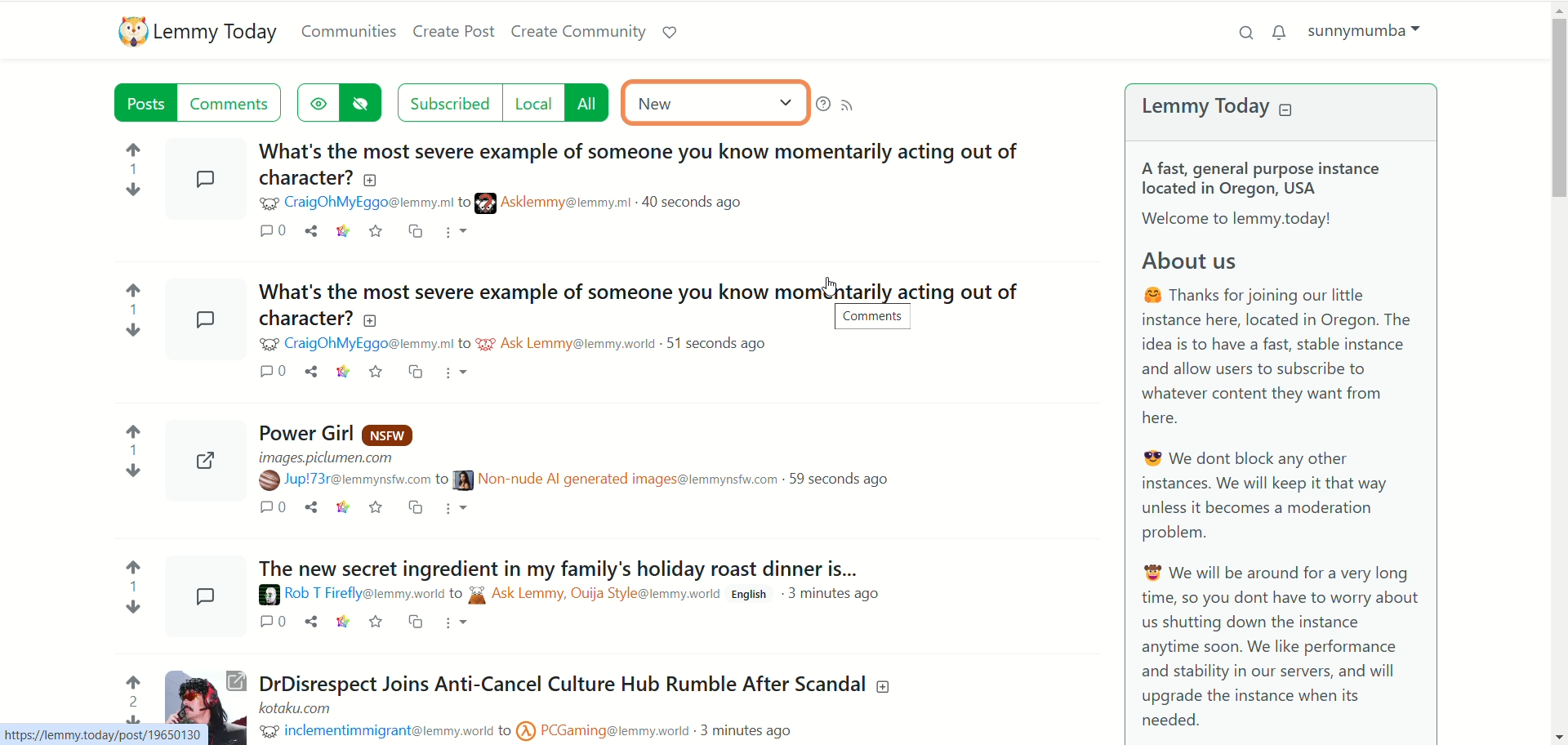  Describe the element at coordinates (1361, 29) in the screenshot. I see `sunnymumba(account)` at that location.